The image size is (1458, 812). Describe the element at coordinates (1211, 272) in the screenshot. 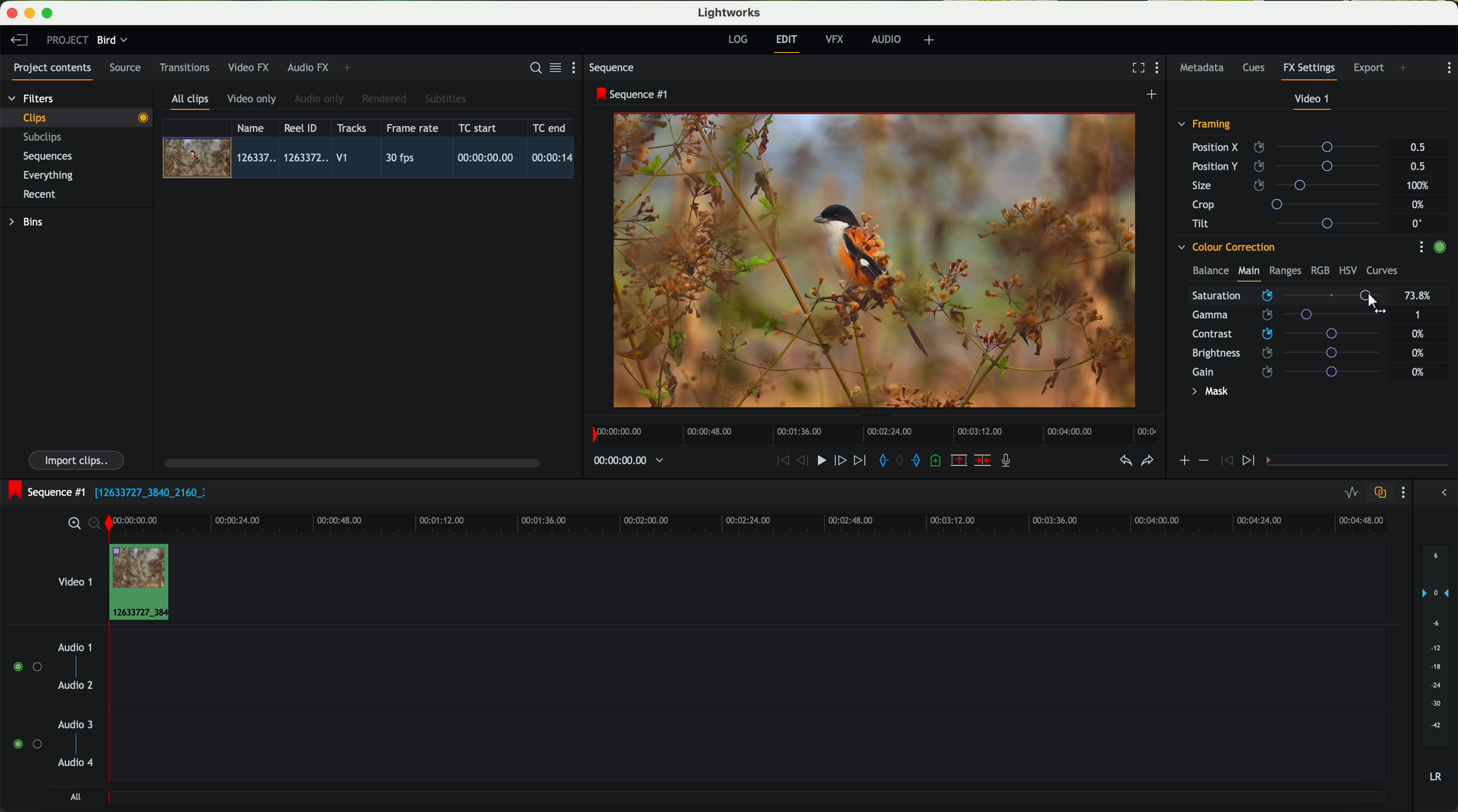

I see `balance` at that location.